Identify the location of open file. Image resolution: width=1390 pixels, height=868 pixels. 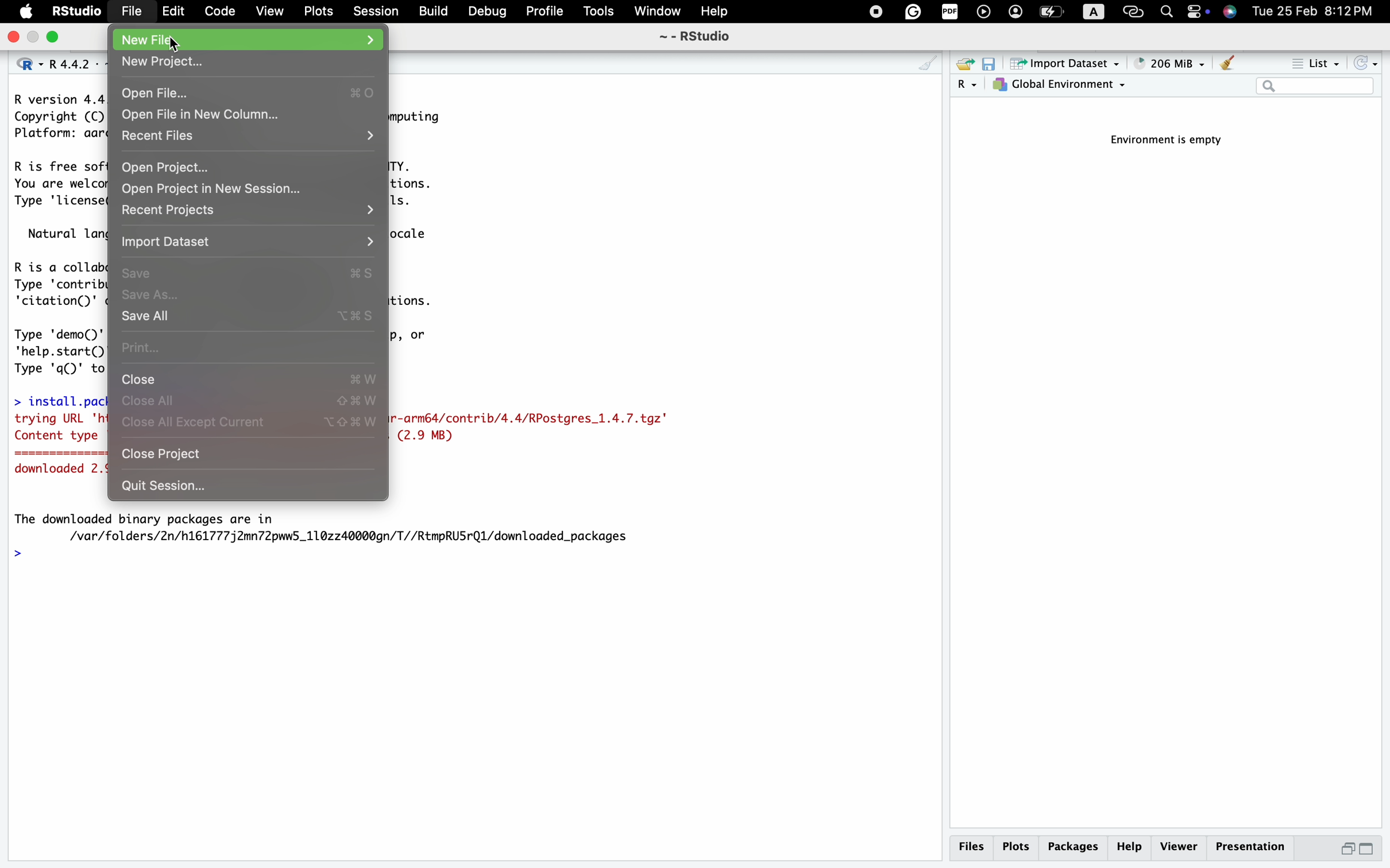
(247, 93).